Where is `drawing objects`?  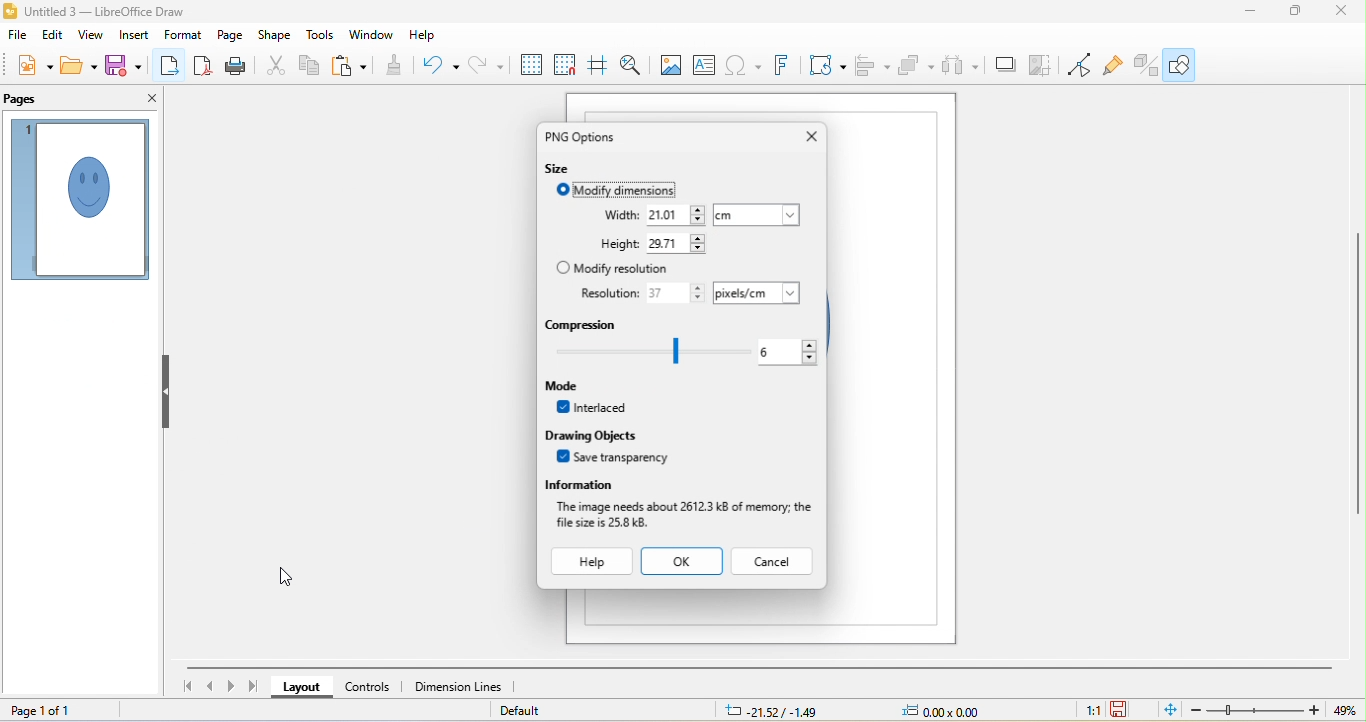 drawing objects is located at coordinates (594, 435).